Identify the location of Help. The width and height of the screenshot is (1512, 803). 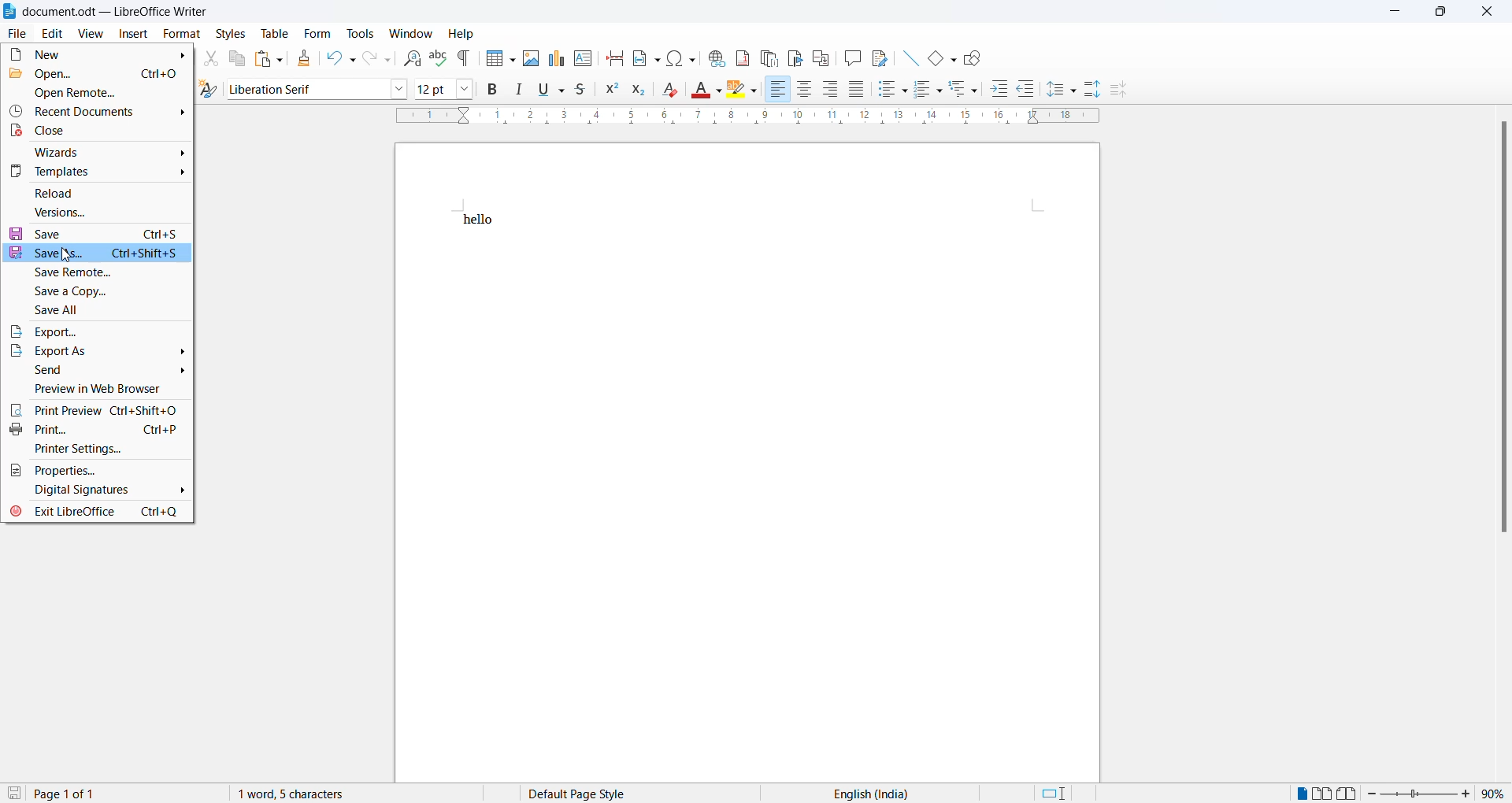
(464, 34).